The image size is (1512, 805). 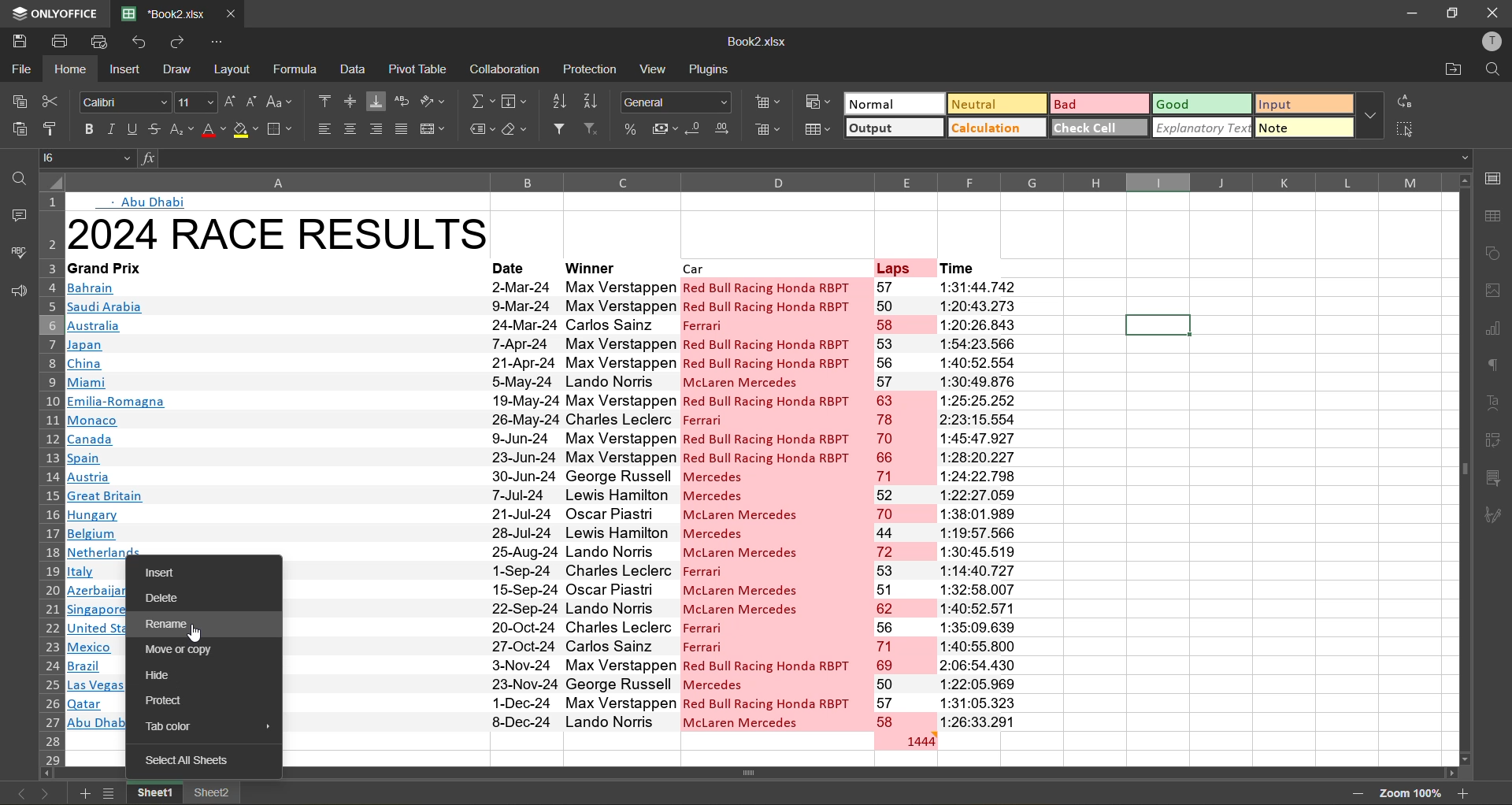 I want to click on sheet list, so click(x=109, y=792).